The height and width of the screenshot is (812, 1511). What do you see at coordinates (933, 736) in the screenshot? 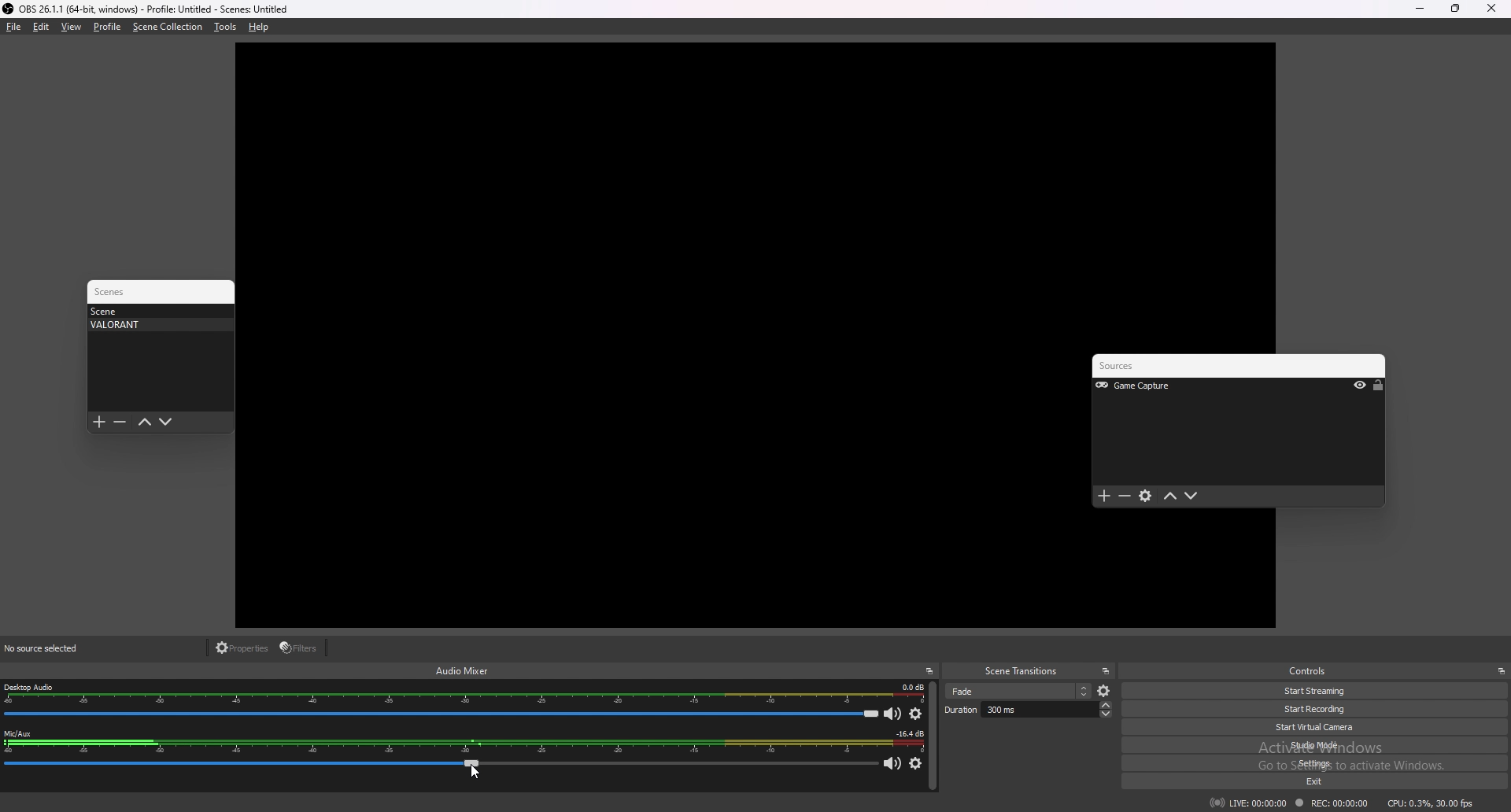
I see `scroll bar` at bounding box center [933, 736].